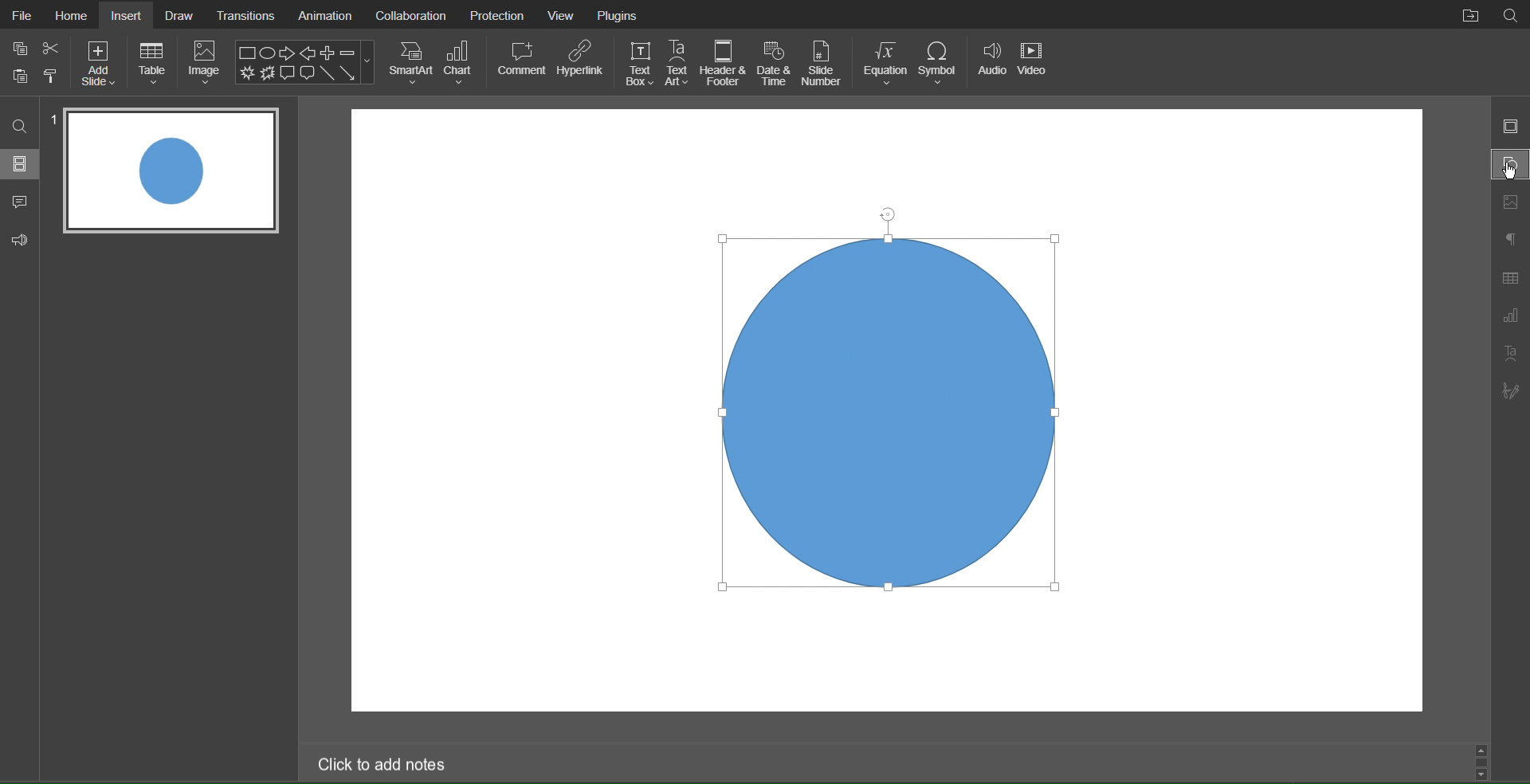  Describe the element at coordinates (18, 237) in the screenshot. I see `Feedback and Support` at that location.